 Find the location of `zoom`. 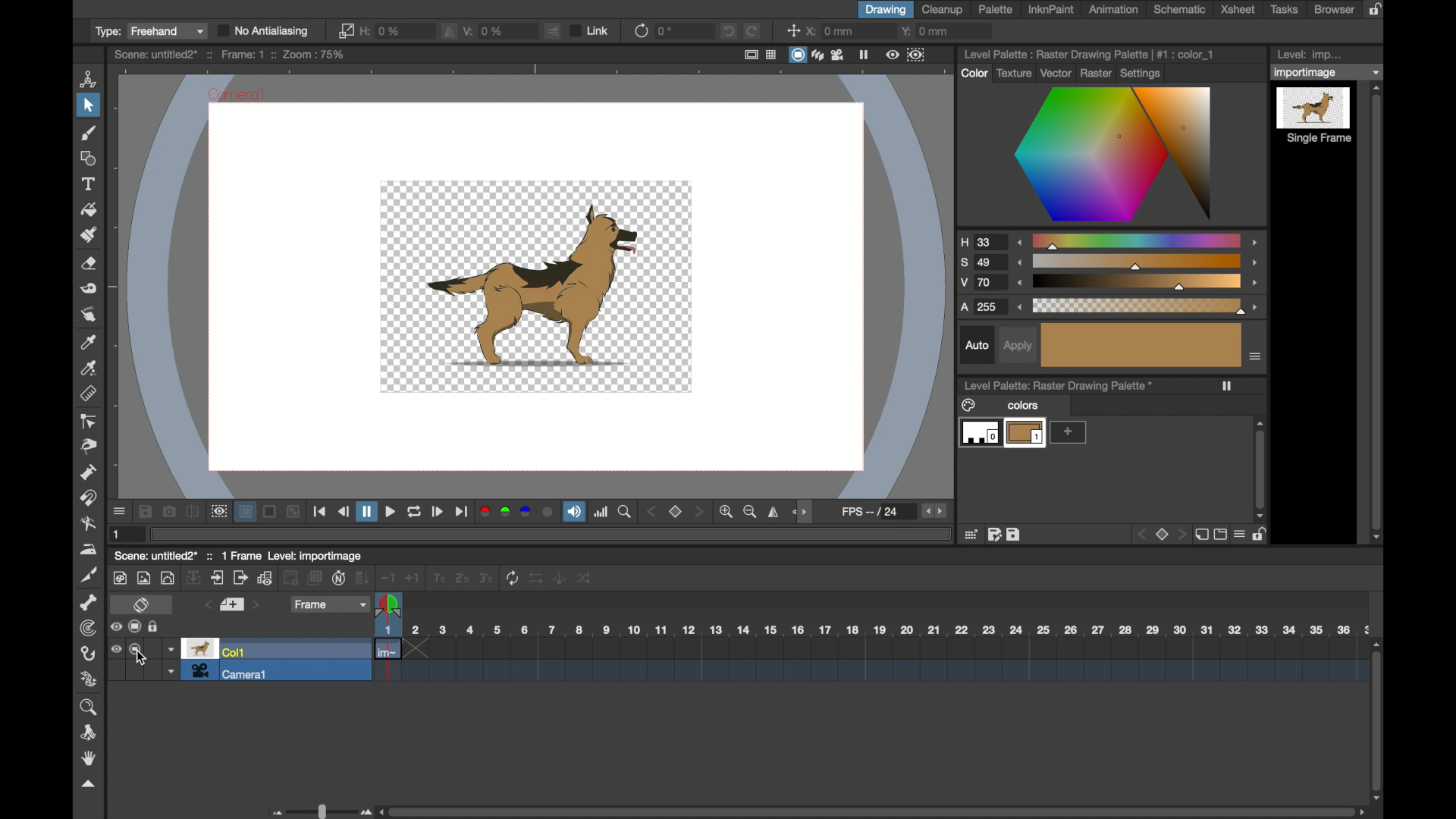

zoom is located at coordinates (627, 513).